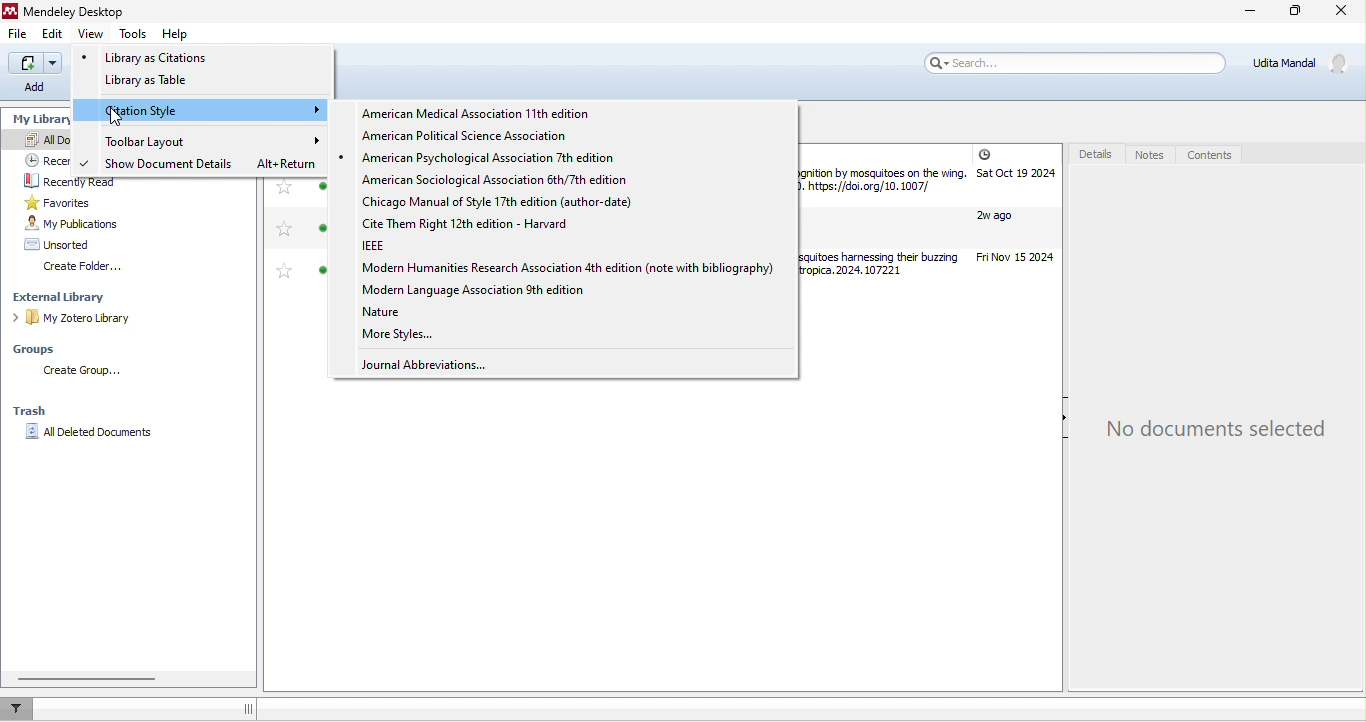  What do you see at coordinates (35, 74) in the screenshot?
I see `` at bounding box center [35, 74].